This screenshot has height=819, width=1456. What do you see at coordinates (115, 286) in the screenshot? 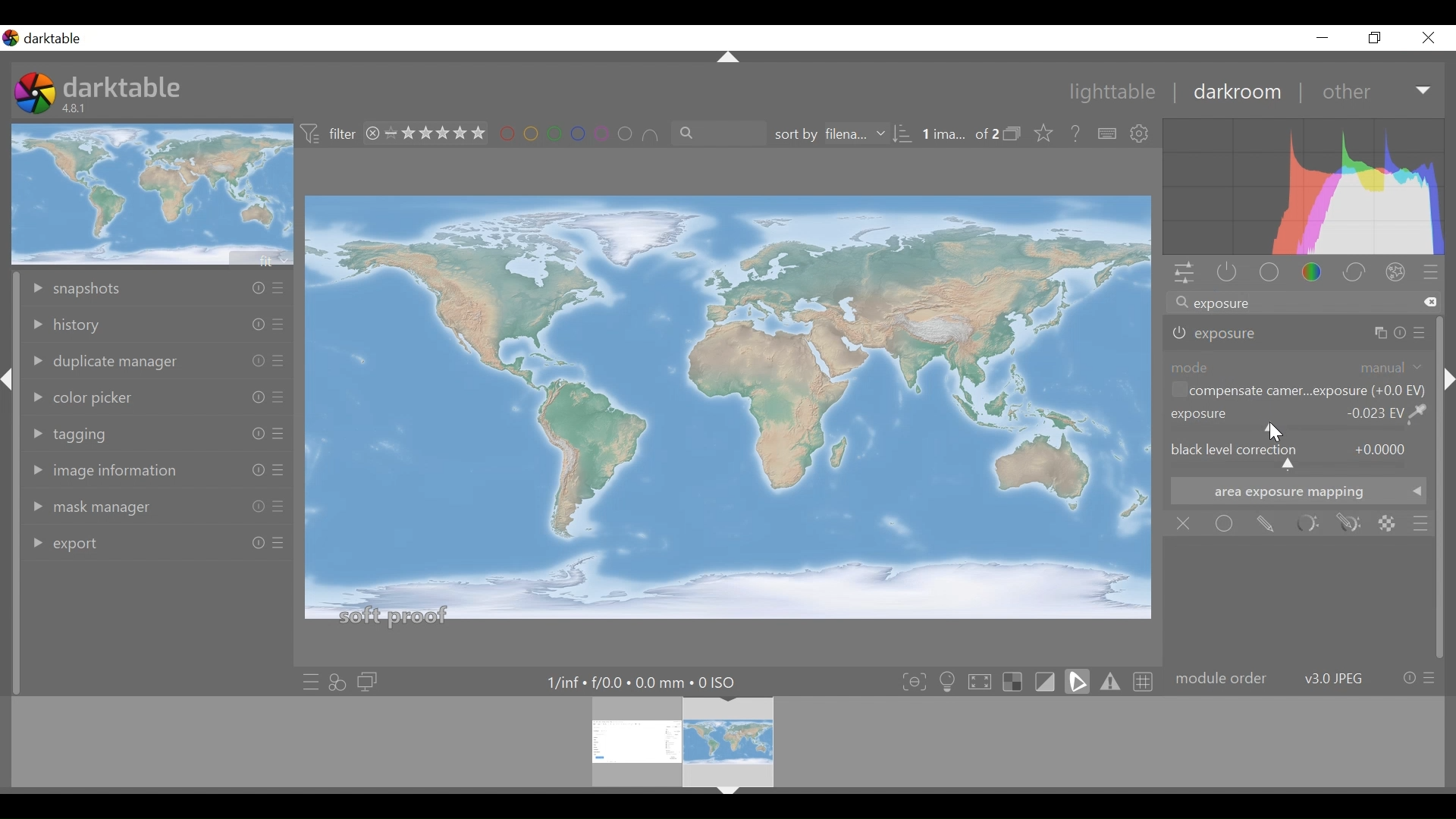
I see `snapshots` at bounding box center [115, 286].